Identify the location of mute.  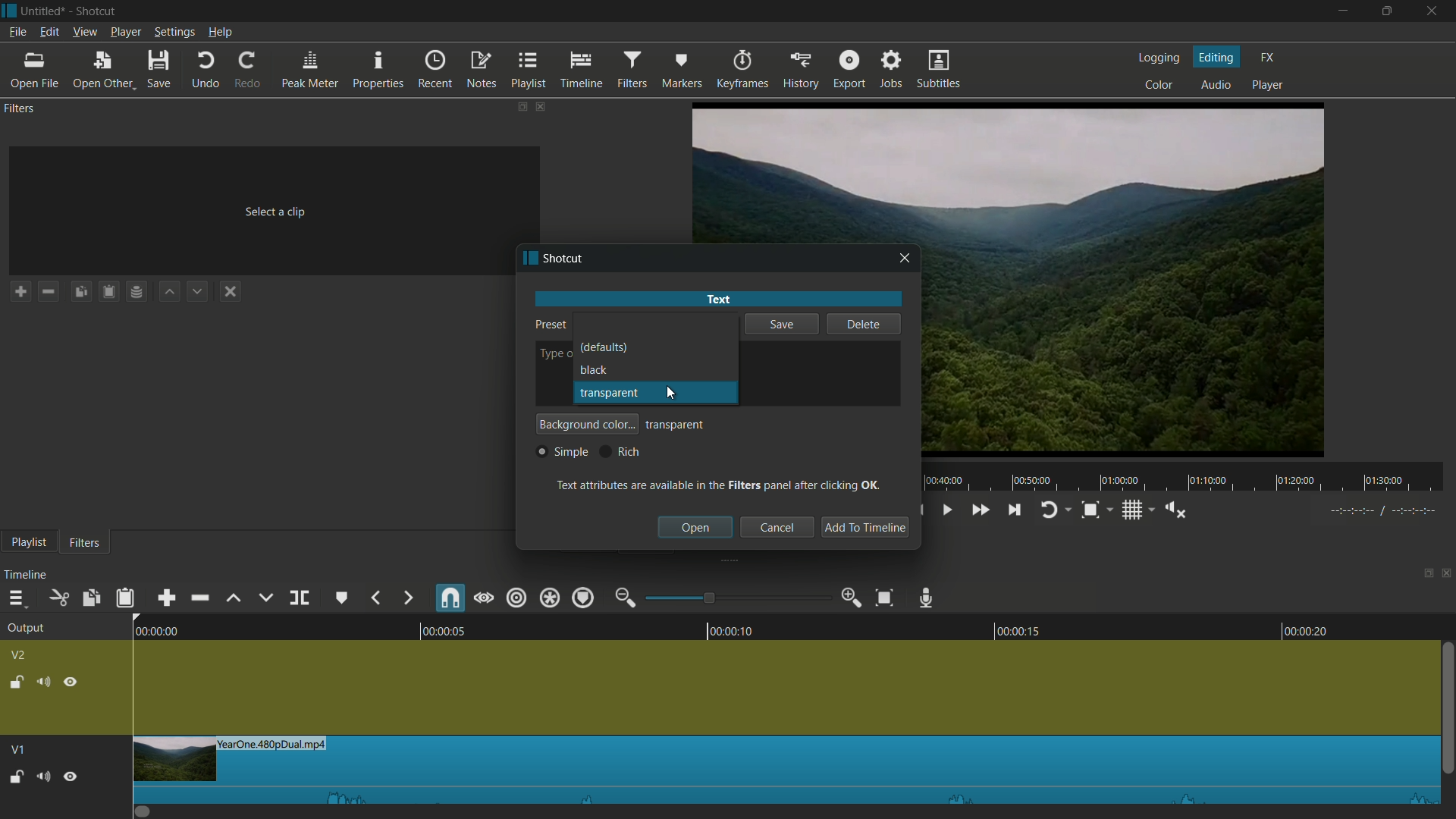
(42, 681).